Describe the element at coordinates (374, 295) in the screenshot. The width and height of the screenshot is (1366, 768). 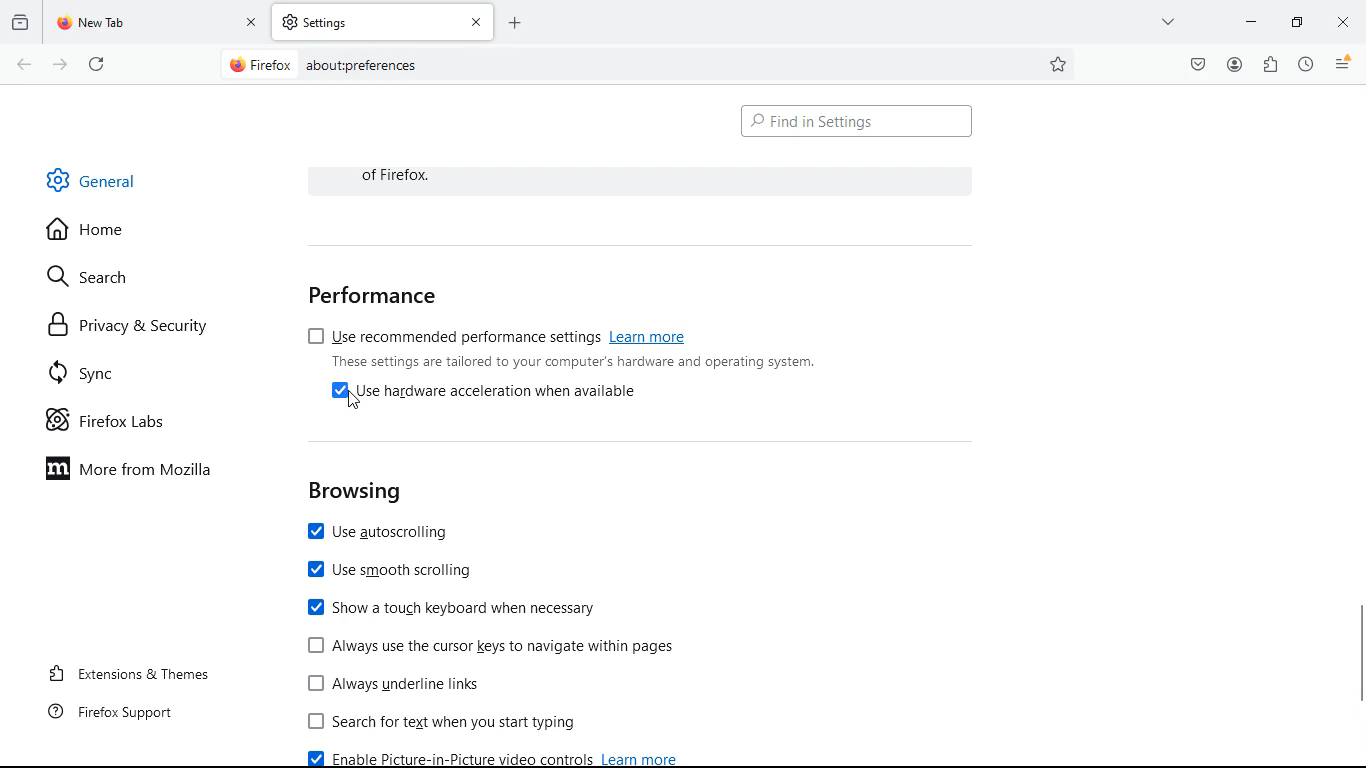
I see `performance` at that location.